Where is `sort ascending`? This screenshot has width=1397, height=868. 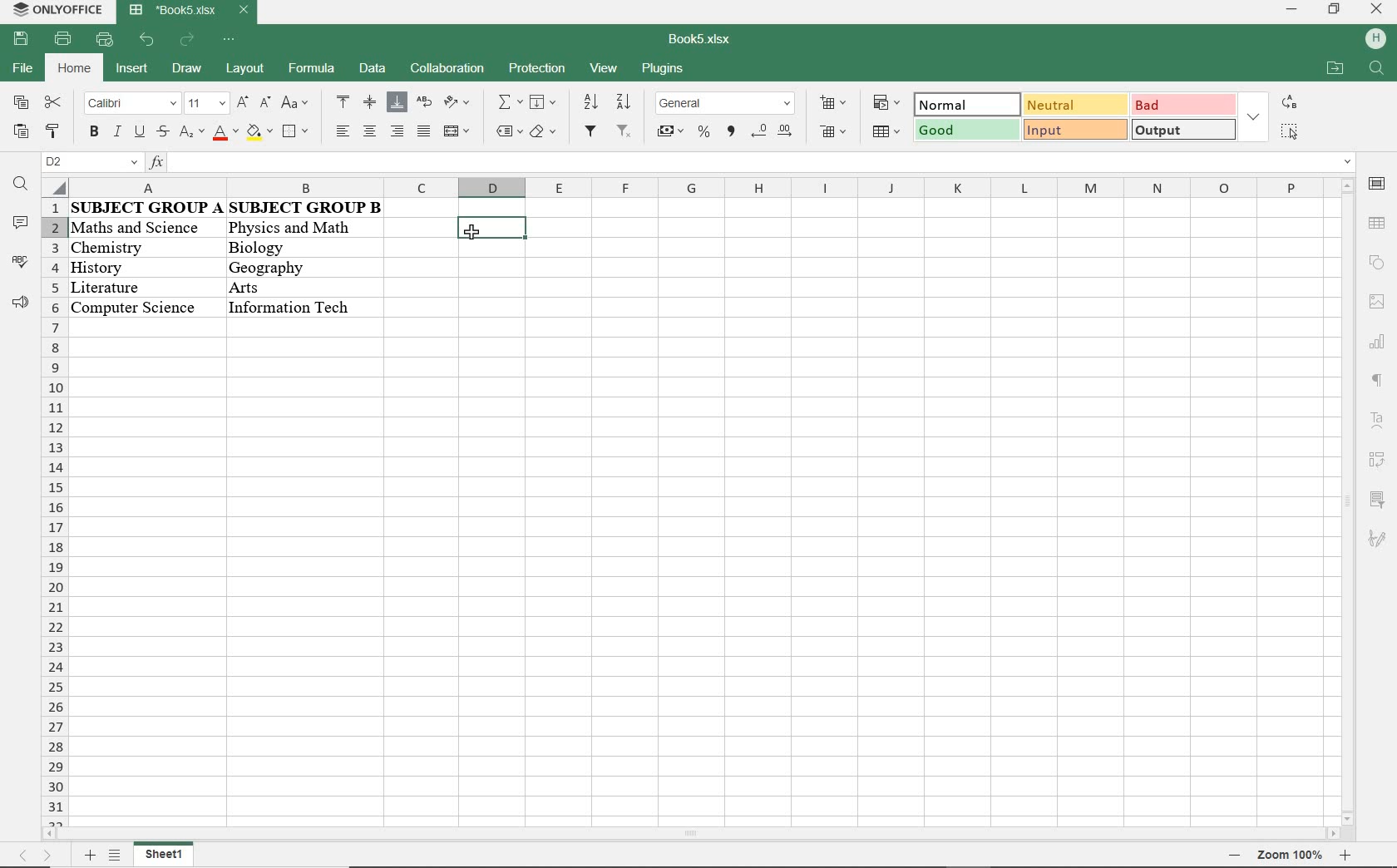 sort ascending is located at coordinates (589, 102).